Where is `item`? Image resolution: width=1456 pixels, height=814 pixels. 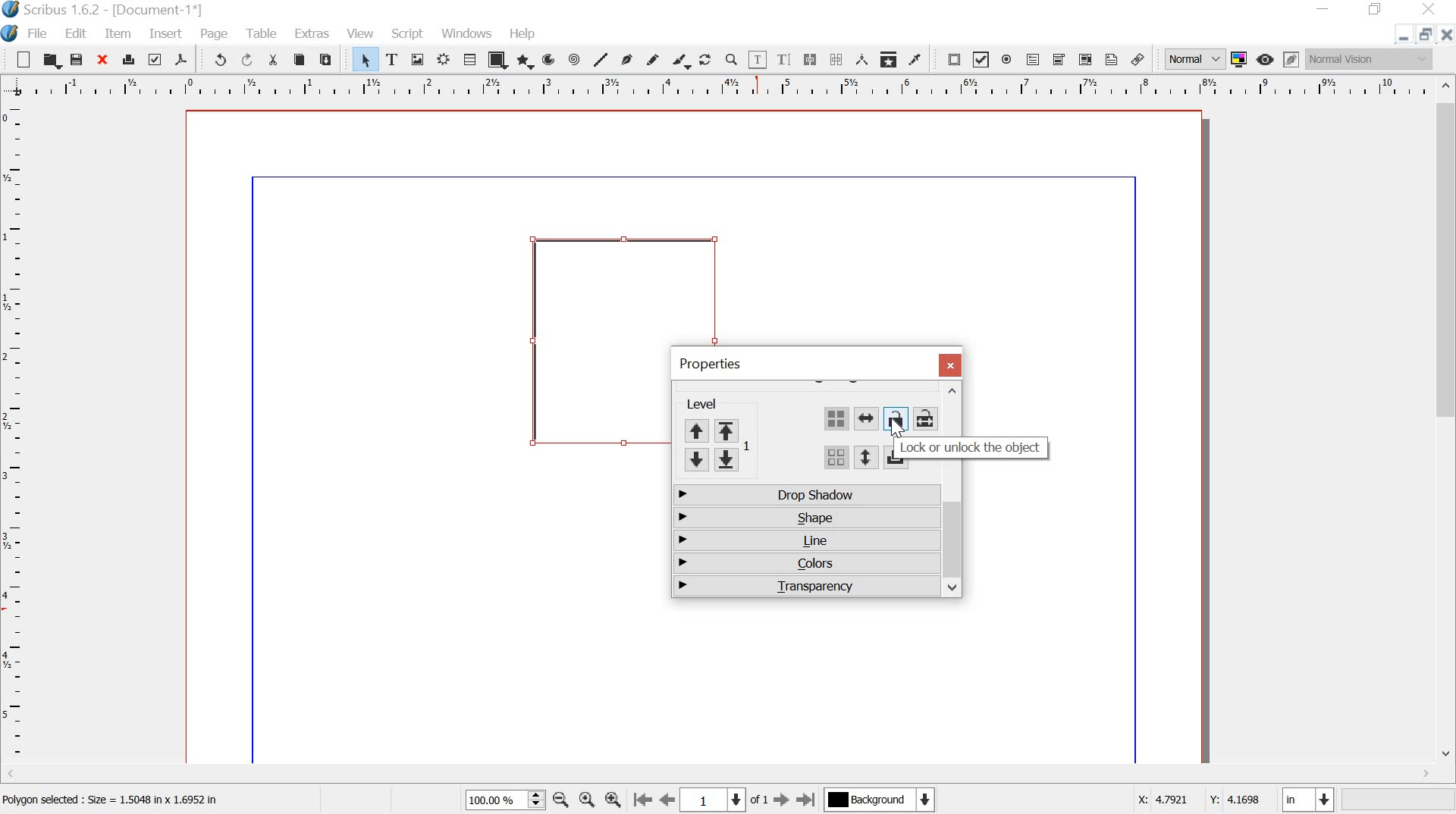 item is located at coordinates (120, 34).